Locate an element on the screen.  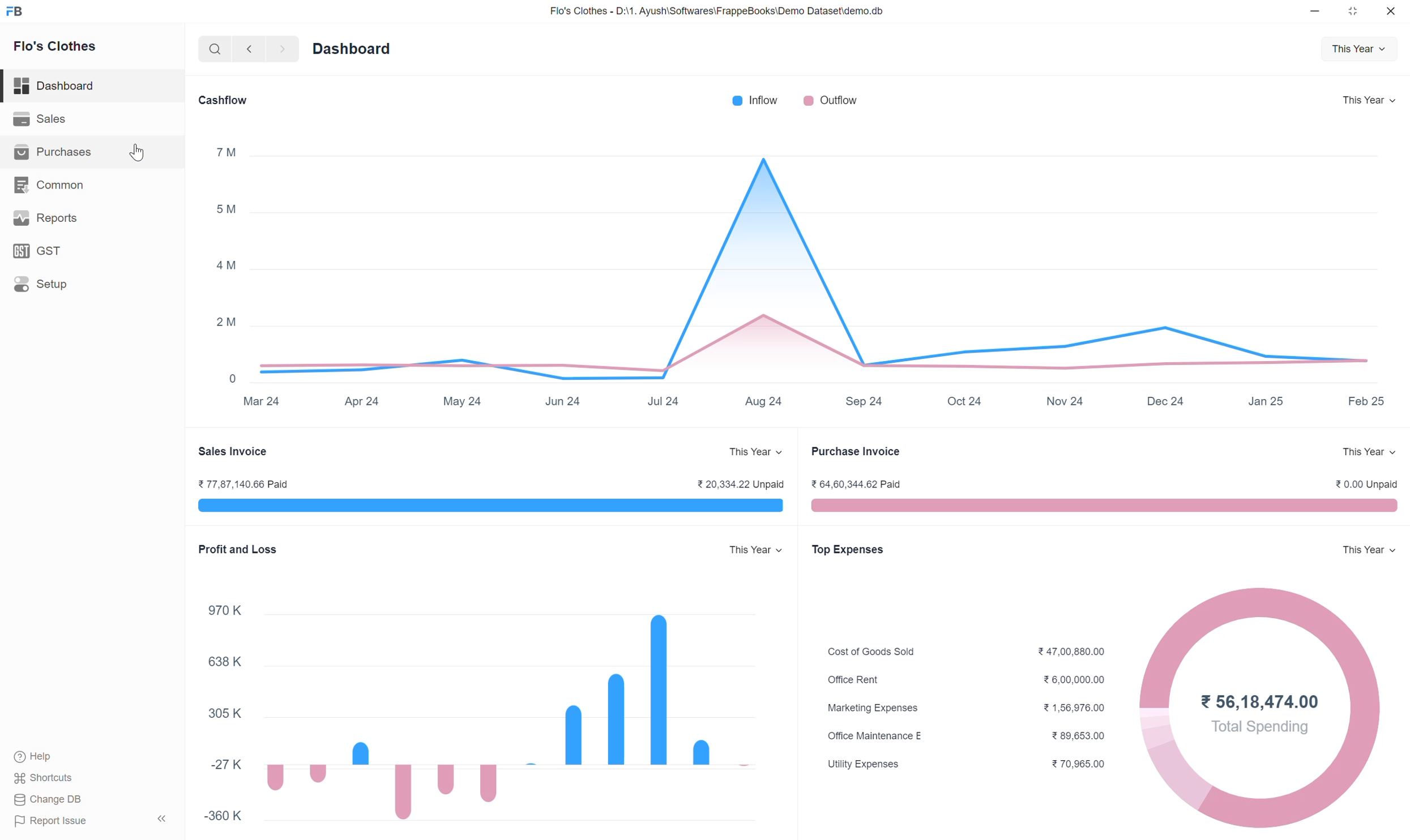
Feb 25 is located at coordinates (1367, 401).